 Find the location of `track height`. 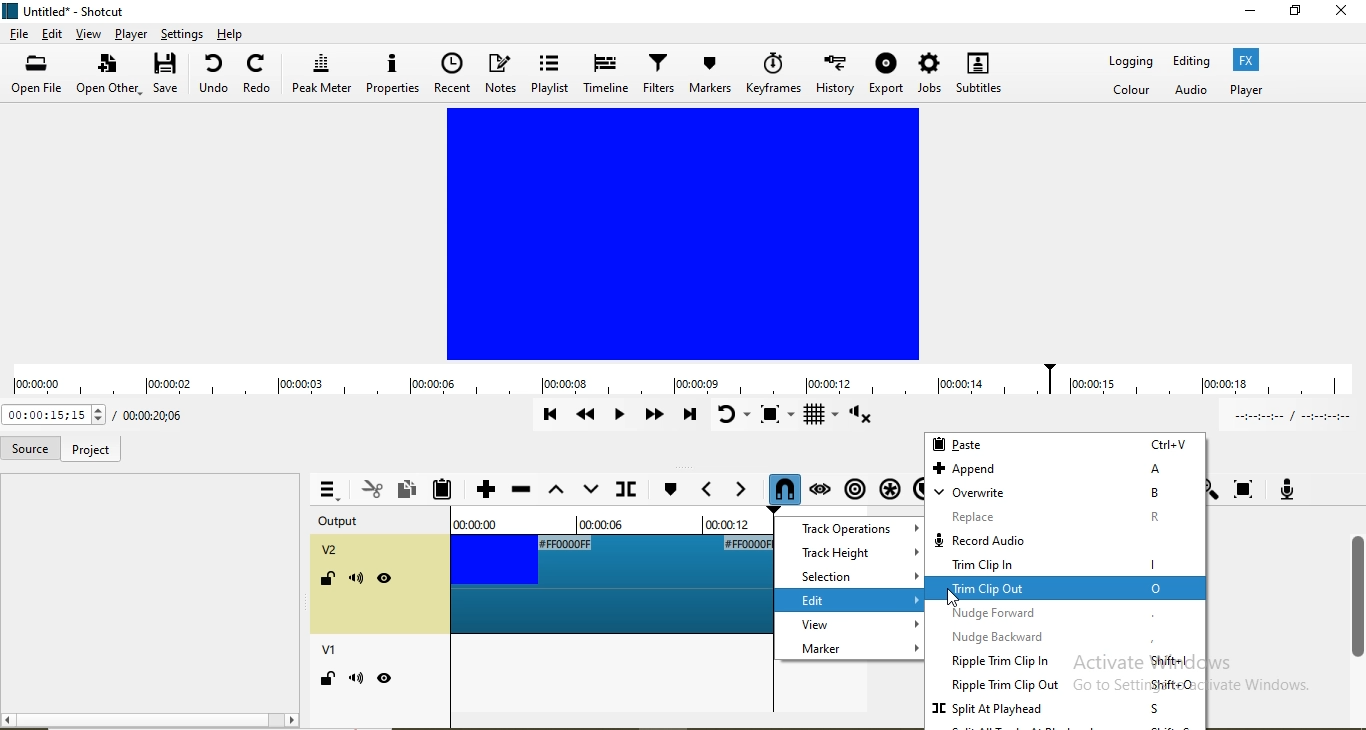

track height is located at coordinates (854, 554).